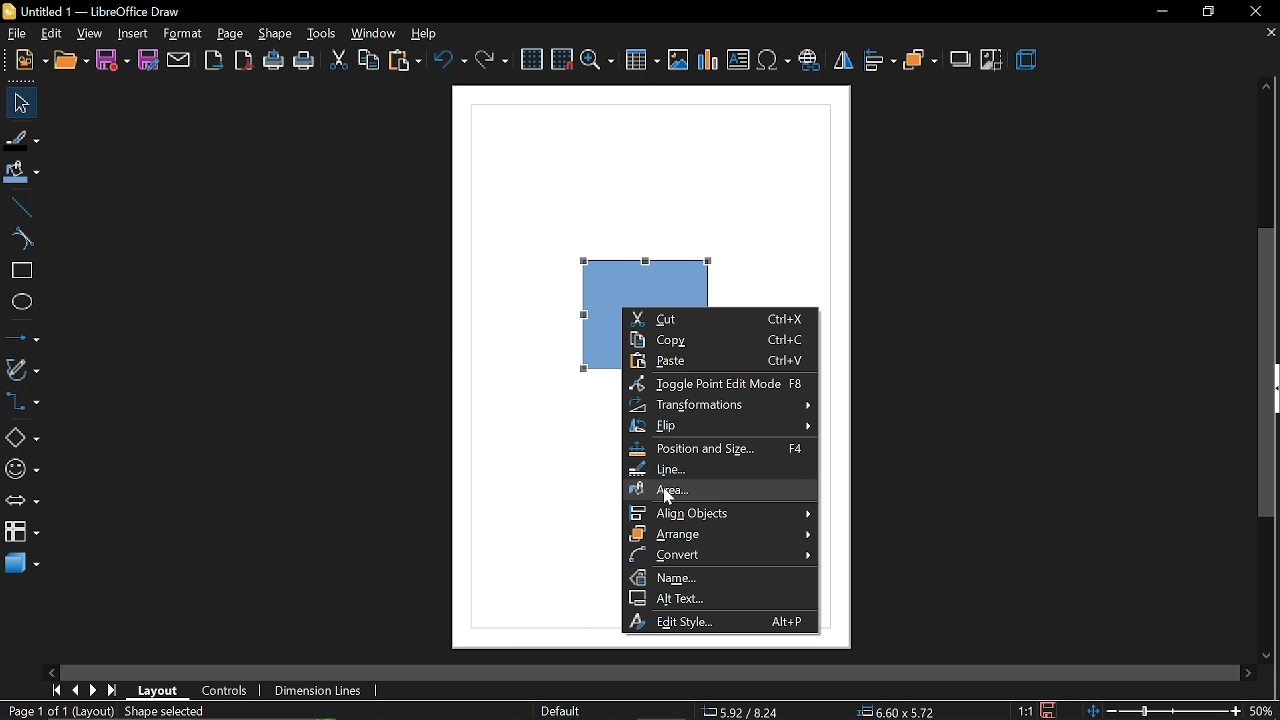  I want to click on copy, so click(720, 339).